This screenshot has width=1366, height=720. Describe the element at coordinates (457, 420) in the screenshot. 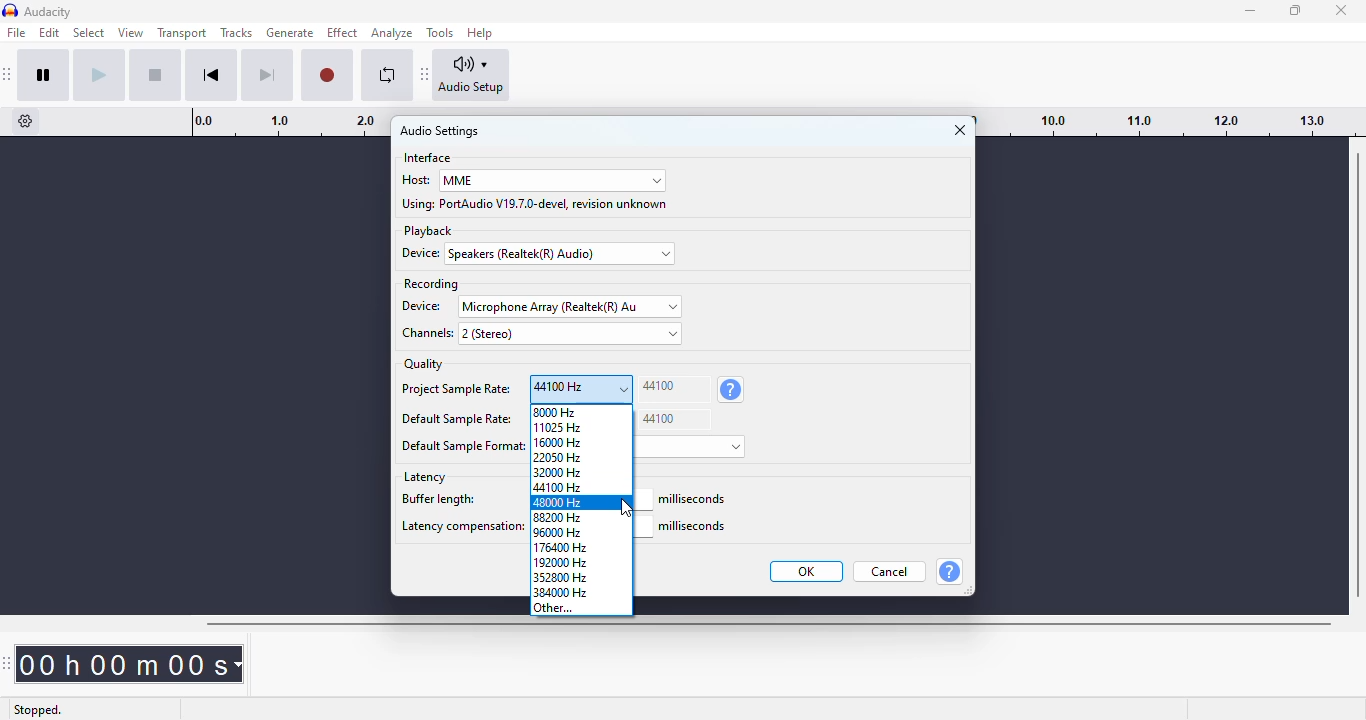

I see `default sample rate` at that location.